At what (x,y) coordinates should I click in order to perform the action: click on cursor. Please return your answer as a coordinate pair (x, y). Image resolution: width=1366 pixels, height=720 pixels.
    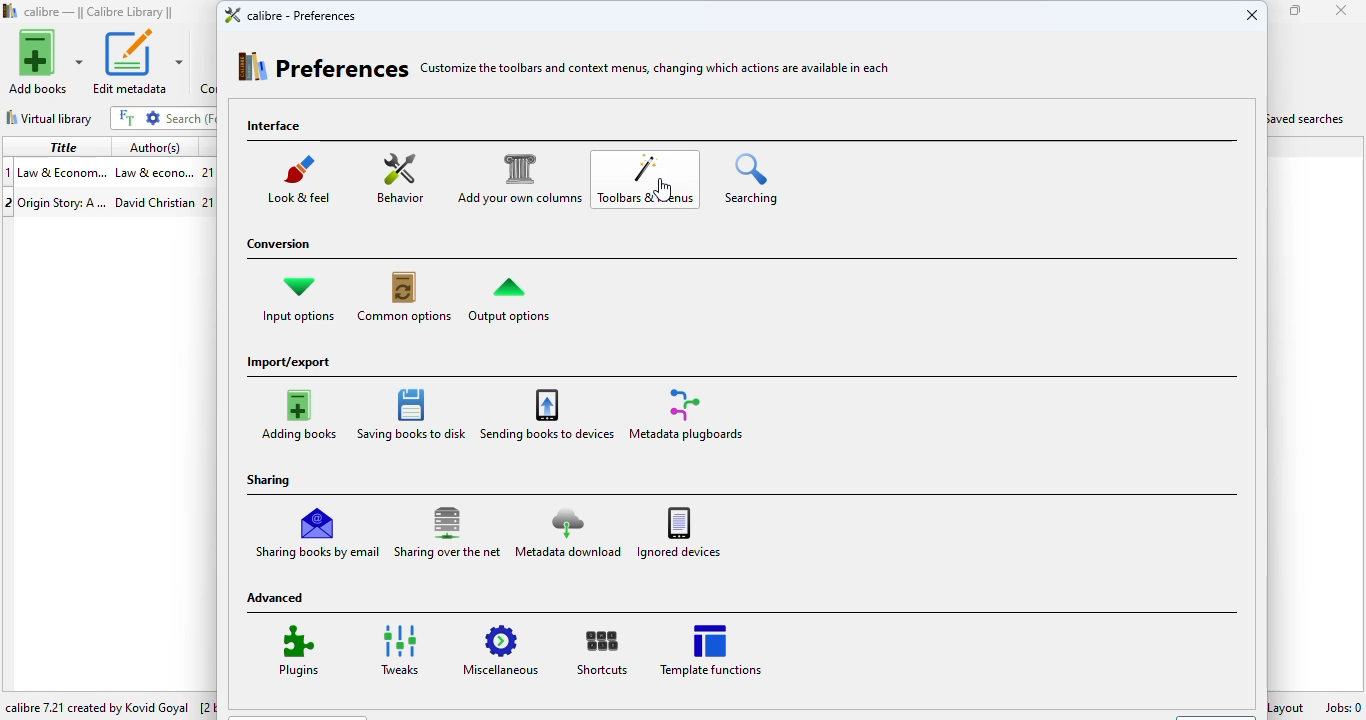
    Looking at the image, I should click on (663, 189).